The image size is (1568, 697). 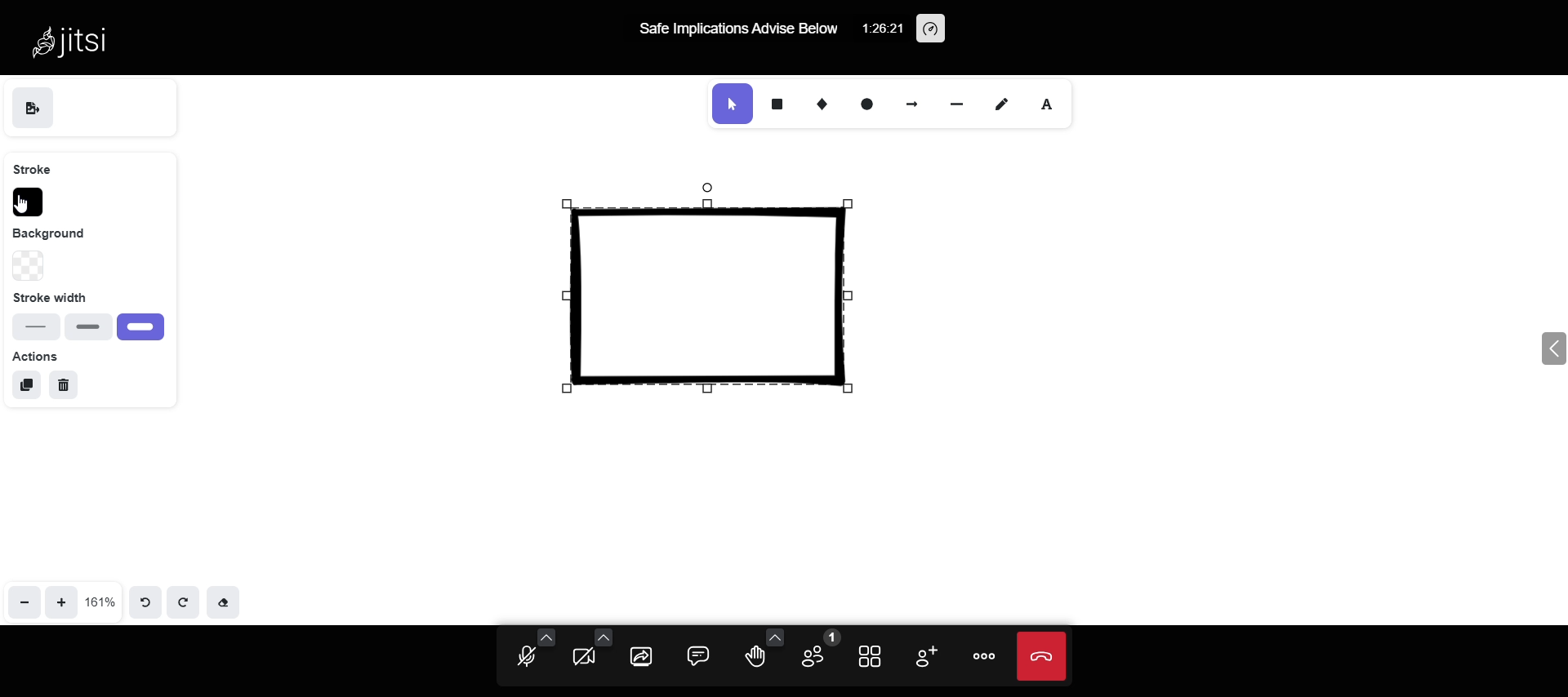 What do you see at coordinates (1044, 655) in the screenshot?
I see `end call` at bounding box center [1044, 655].